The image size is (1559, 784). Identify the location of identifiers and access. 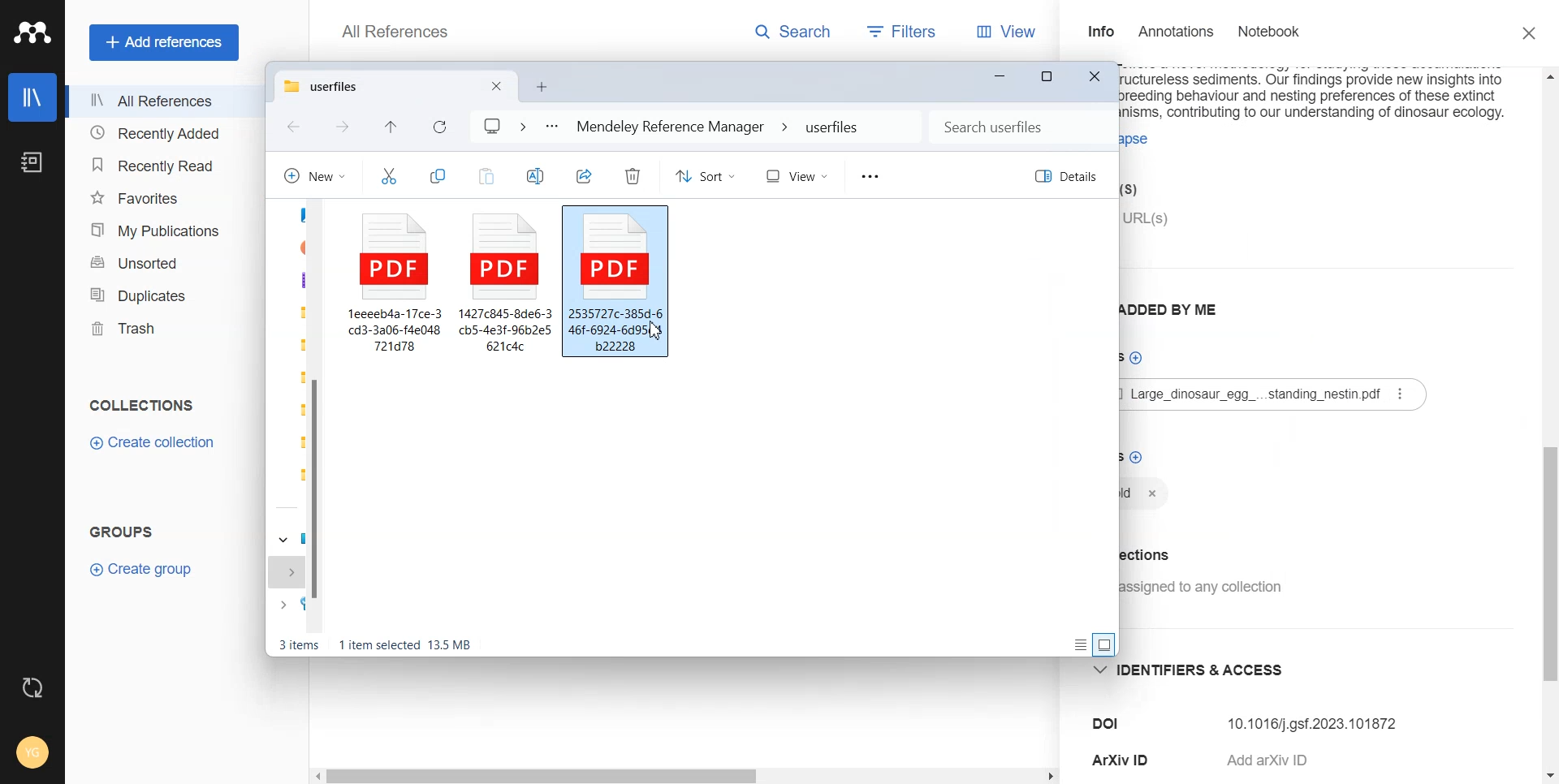
(1207, 671).